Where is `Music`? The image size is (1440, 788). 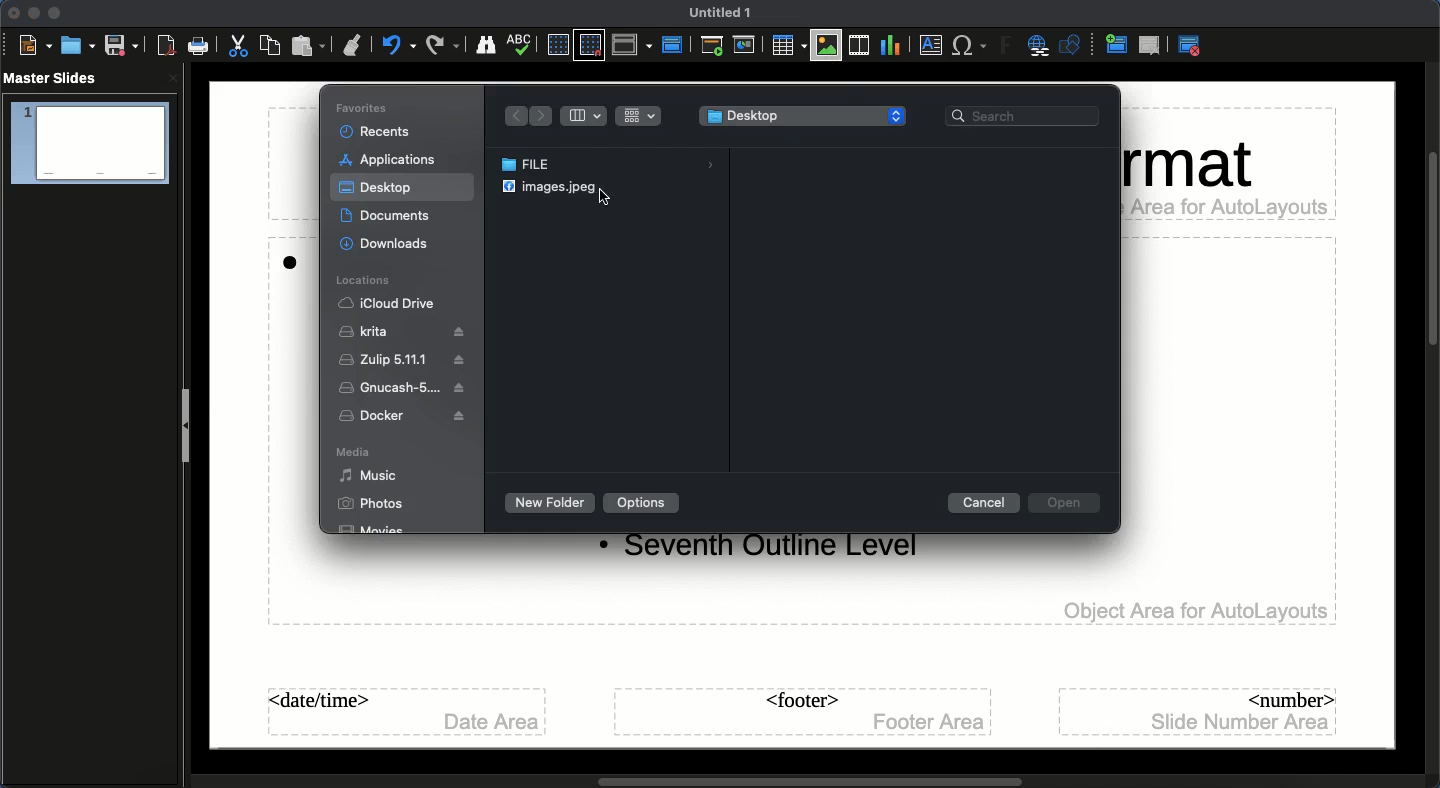
Music is located at coordinates (369, 476).